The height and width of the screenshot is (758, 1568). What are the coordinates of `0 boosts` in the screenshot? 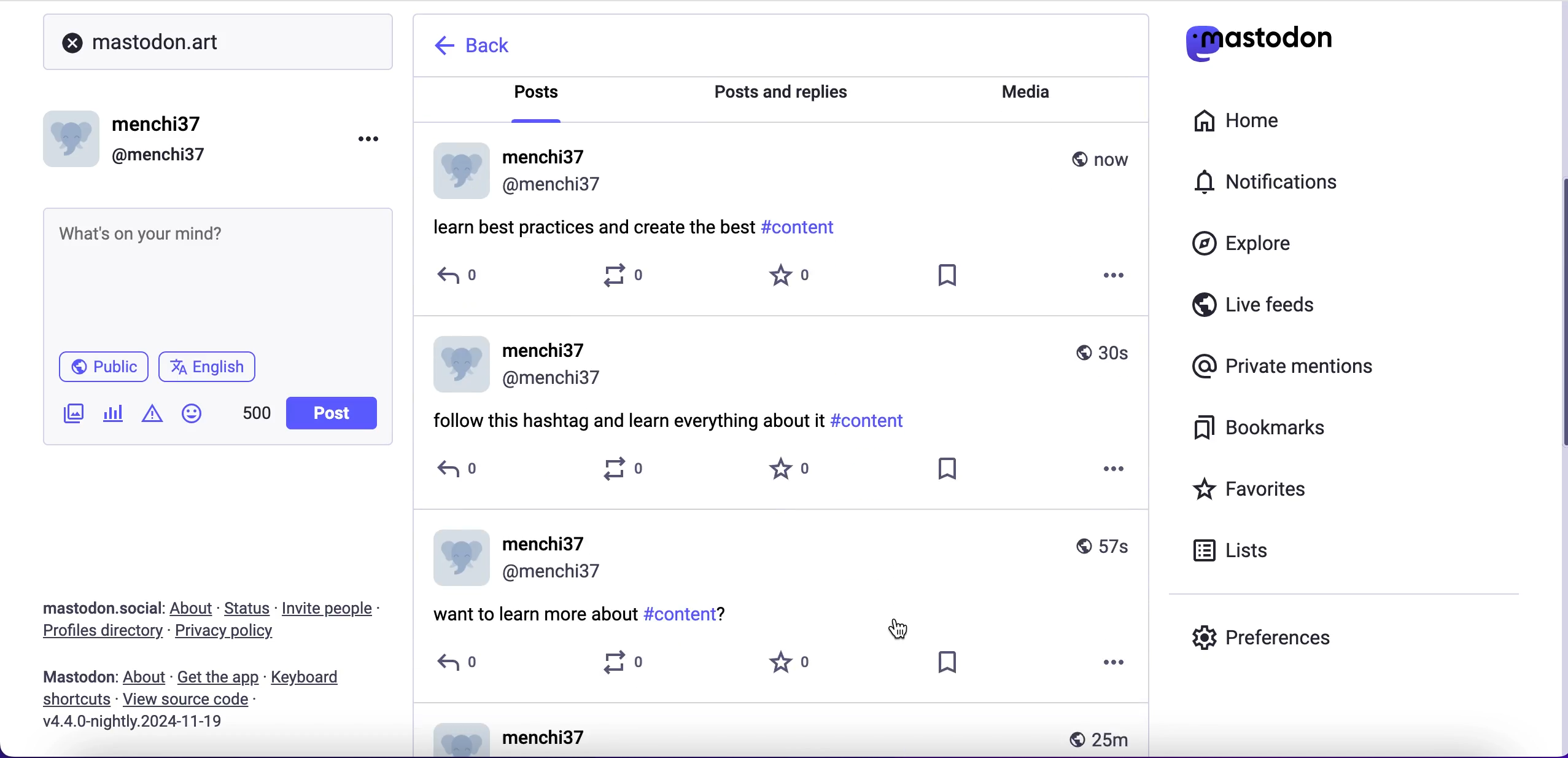 It's located at (623, 278).